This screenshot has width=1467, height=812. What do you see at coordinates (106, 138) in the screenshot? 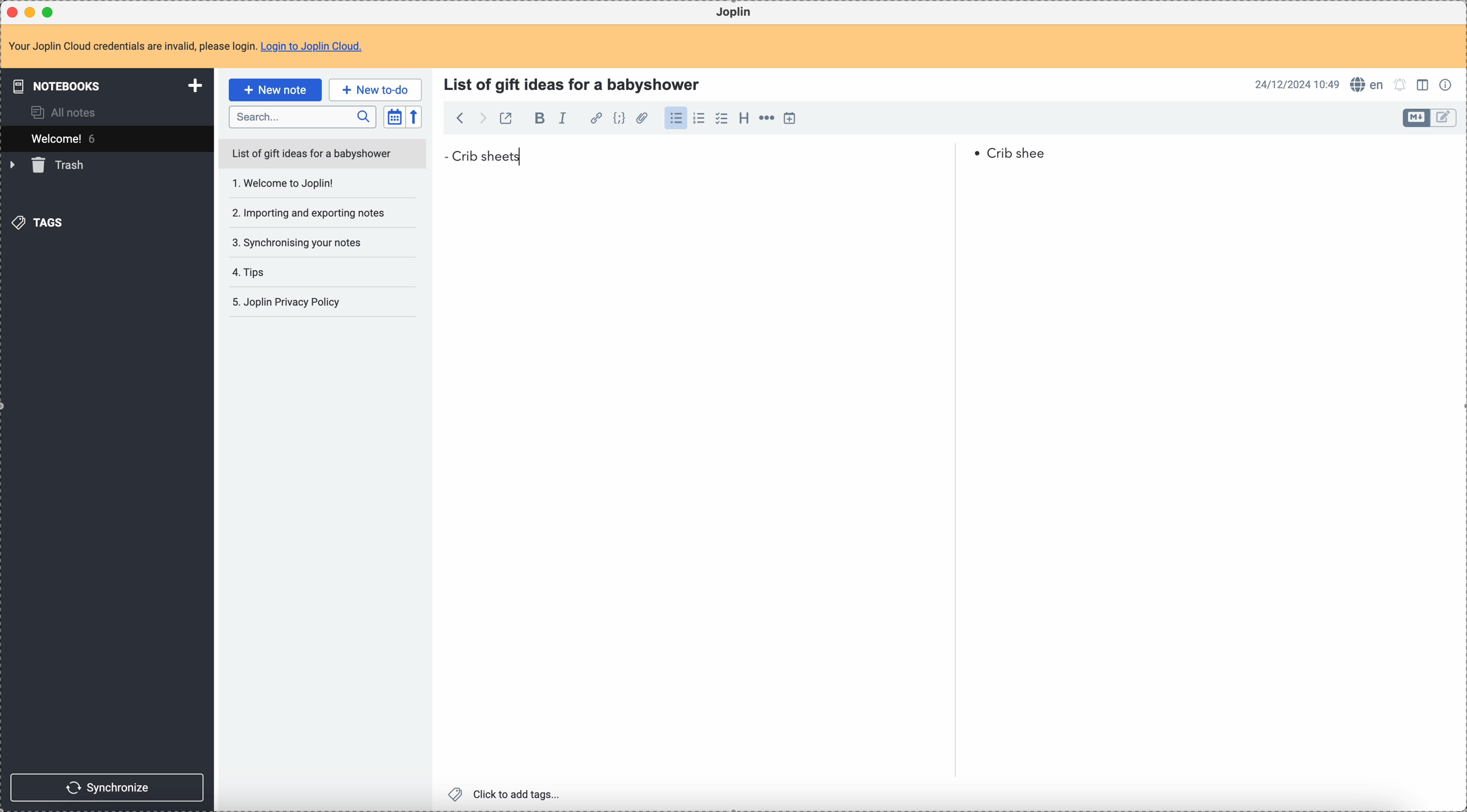
I see `welcome` at bounding box center [106, 138].